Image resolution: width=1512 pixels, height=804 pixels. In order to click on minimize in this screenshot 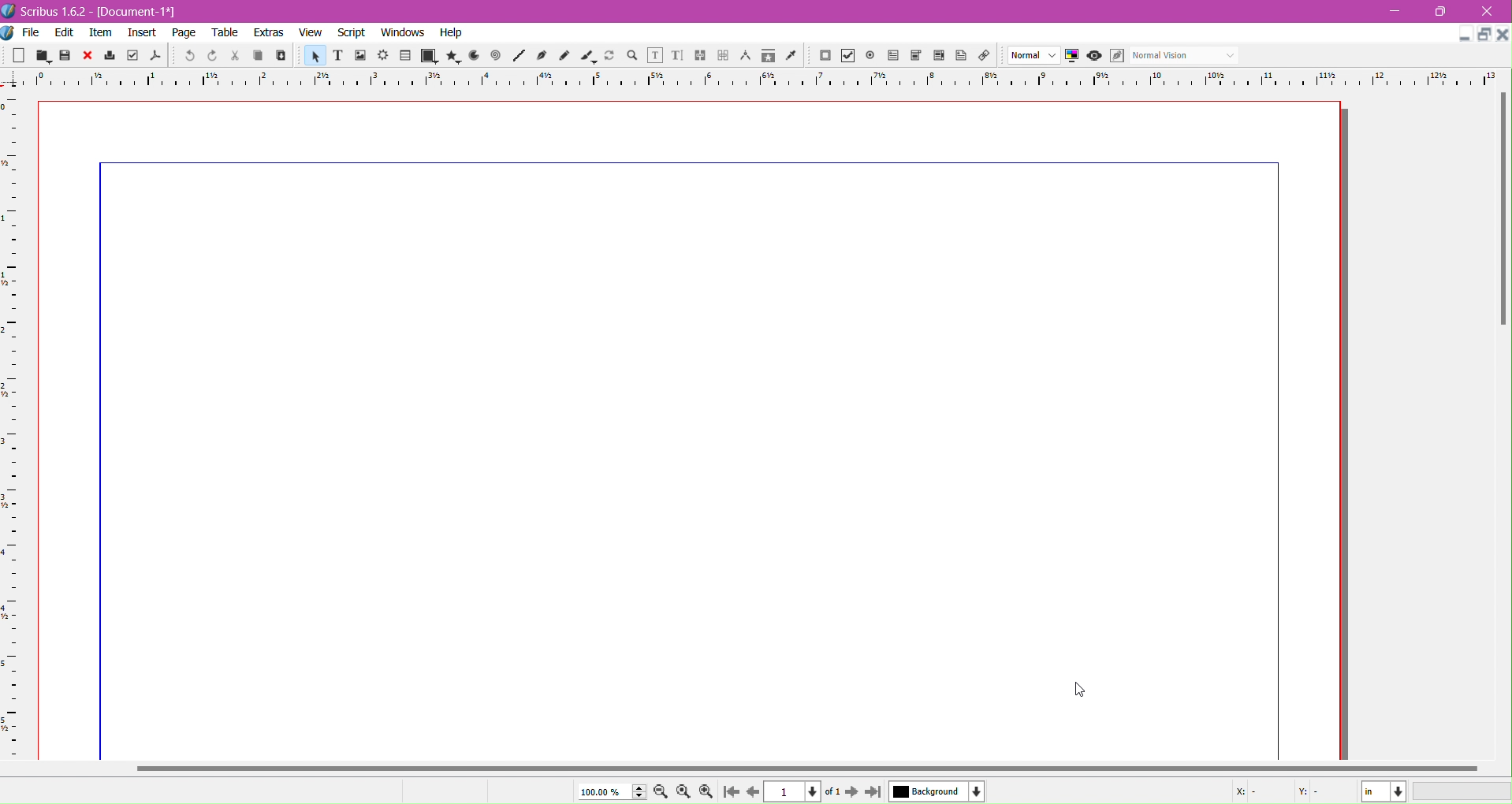, I will do `click(1395, 12)`.